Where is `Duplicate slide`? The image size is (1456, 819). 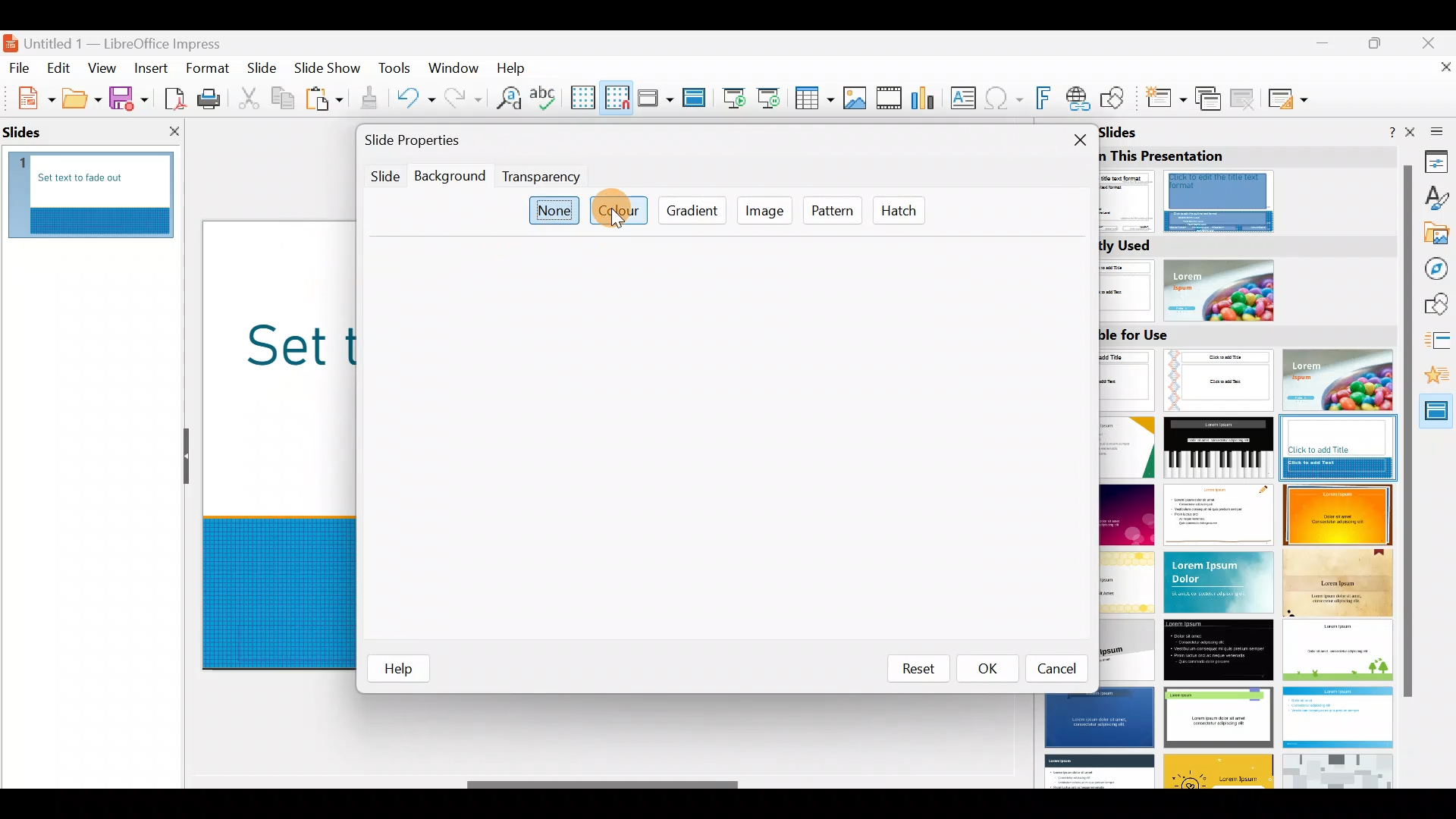
Duplicate slide is located at coordinates (1210, 99).